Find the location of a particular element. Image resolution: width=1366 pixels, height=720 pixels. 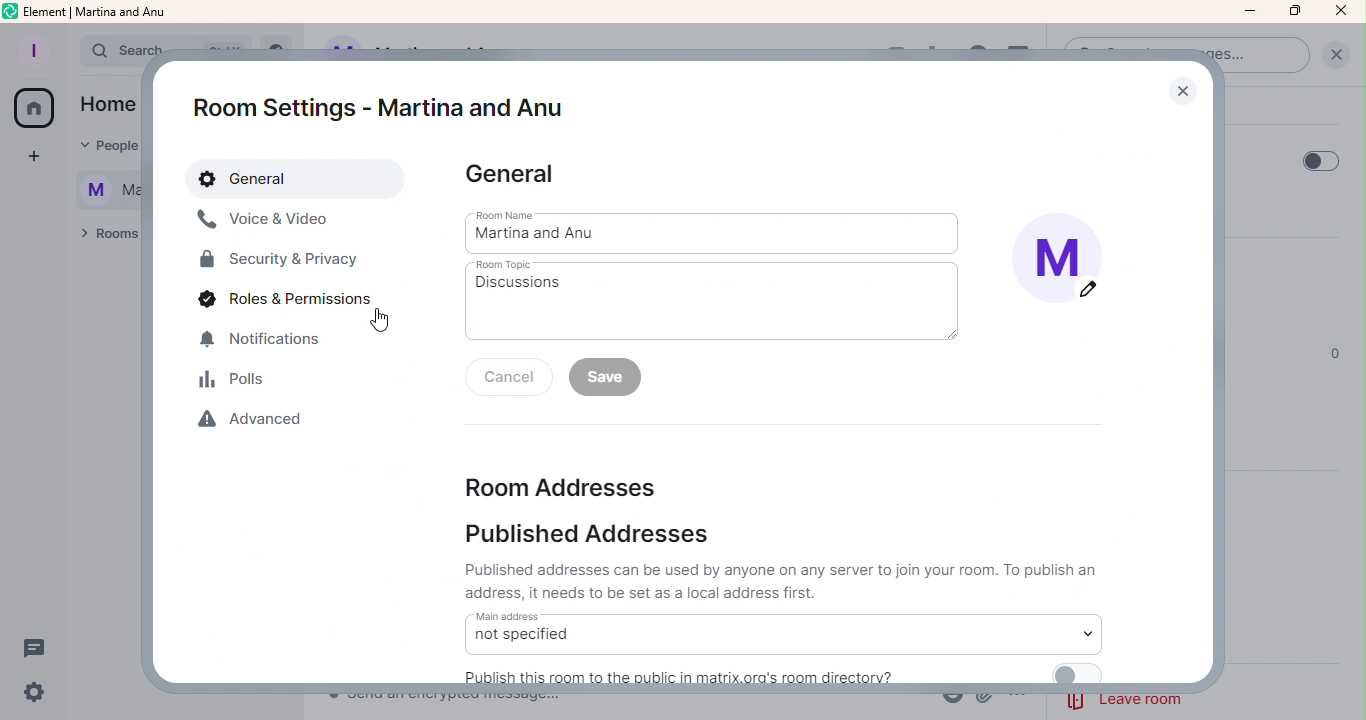

Main address is located at coordinates (788, 634).